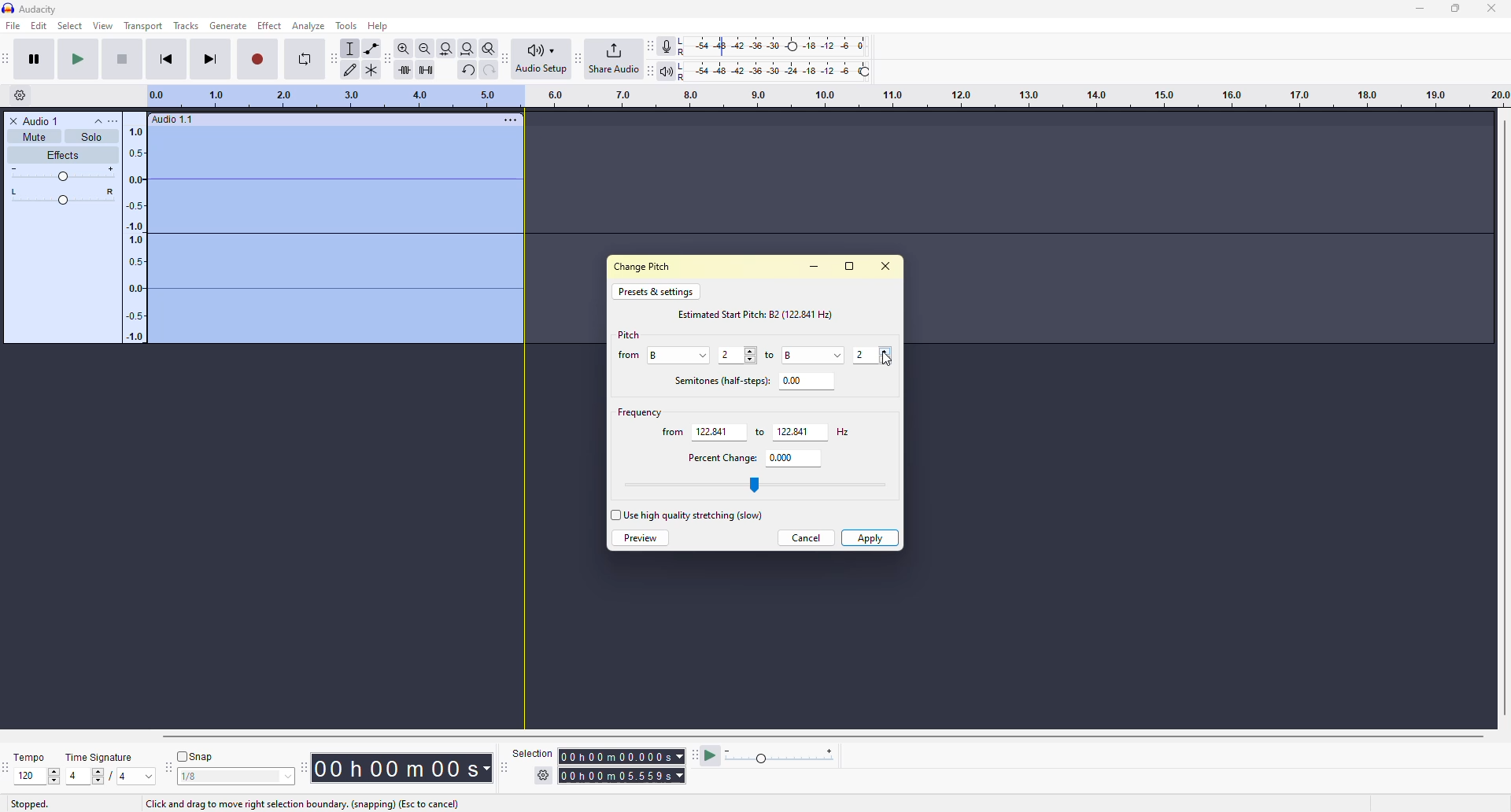  What do you see at coordinates (29, 9) in the screenshot?
I see `audacity` at bounding box center [29, 9].